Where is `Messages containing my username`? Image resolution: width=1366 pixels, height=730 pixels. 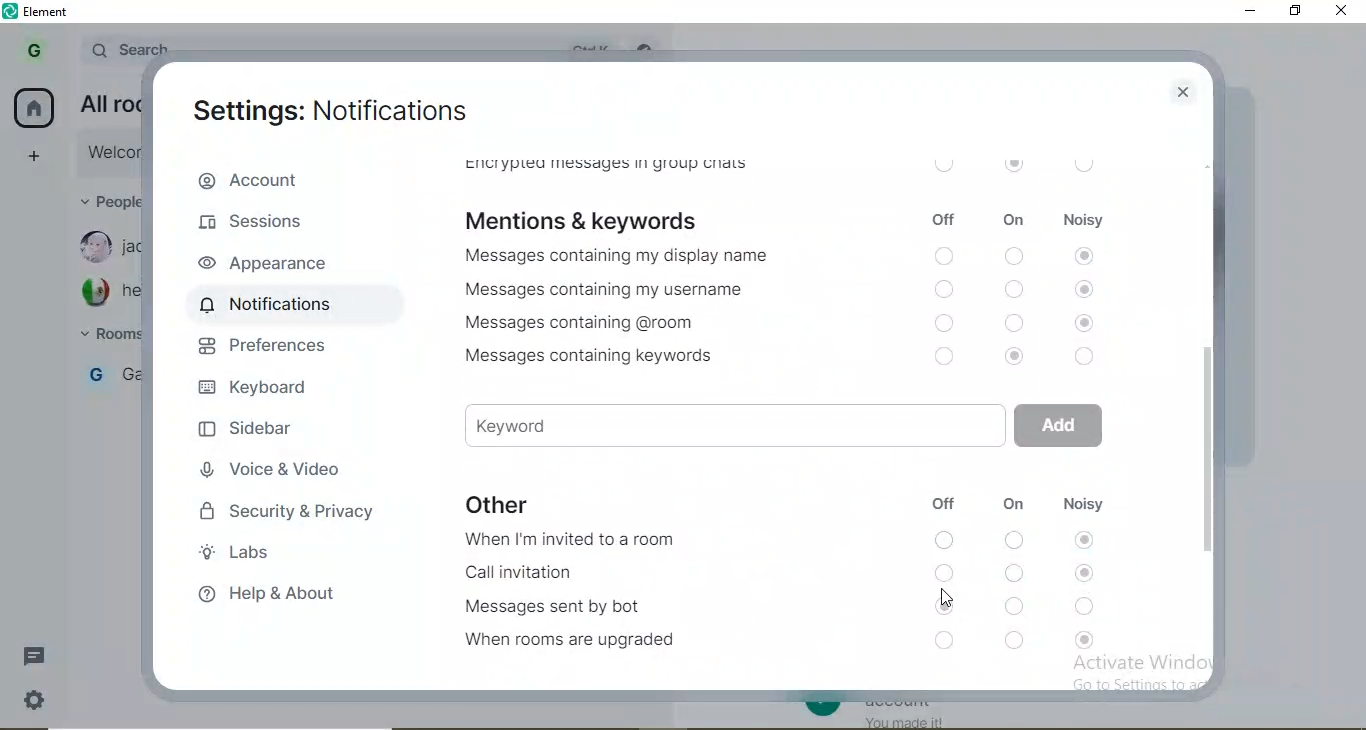
Messages containing my username is located at coordinates (603, 287).